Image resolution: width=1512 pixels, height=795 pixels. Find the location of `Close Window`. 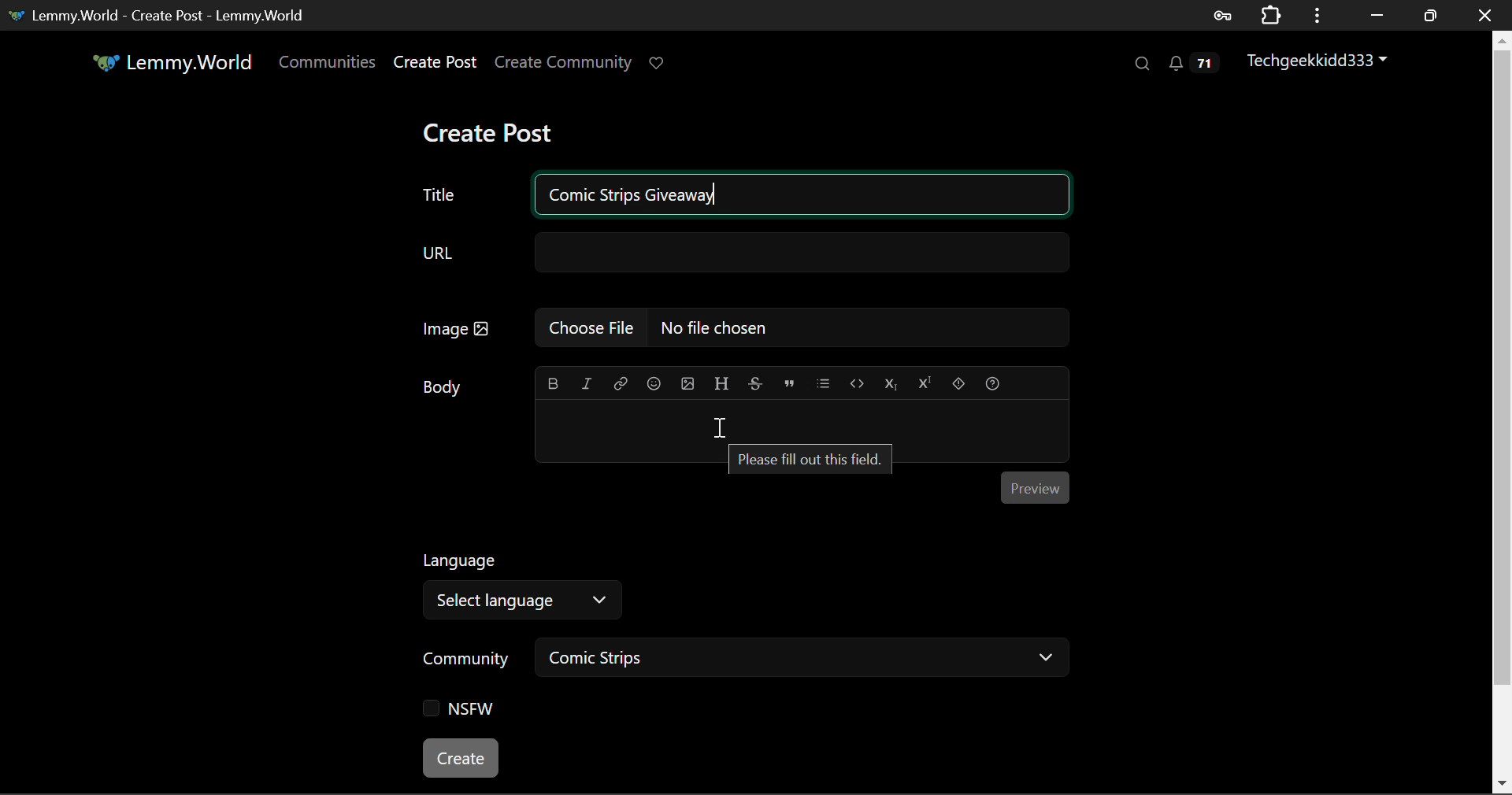

Close Window is located at coordinates (1484, 13).